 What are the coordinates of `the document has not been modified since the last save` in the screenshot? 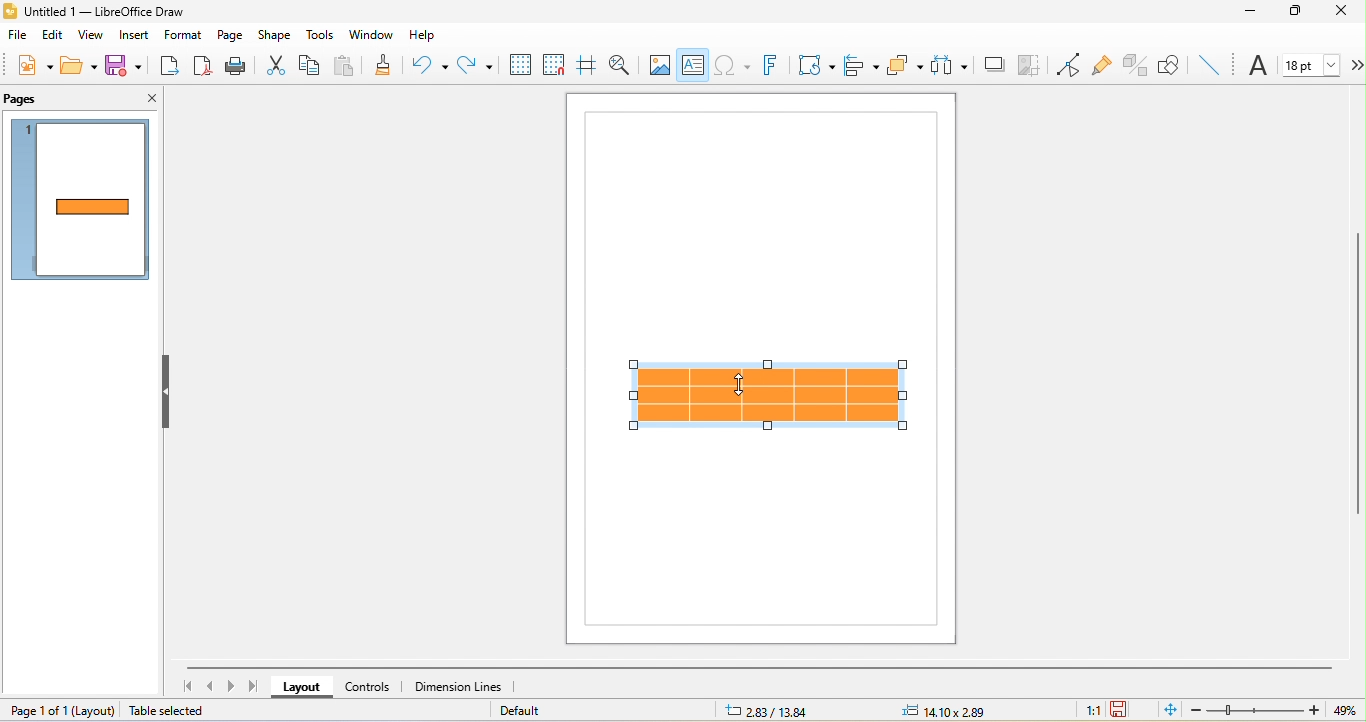 It's located at (1131, 709).